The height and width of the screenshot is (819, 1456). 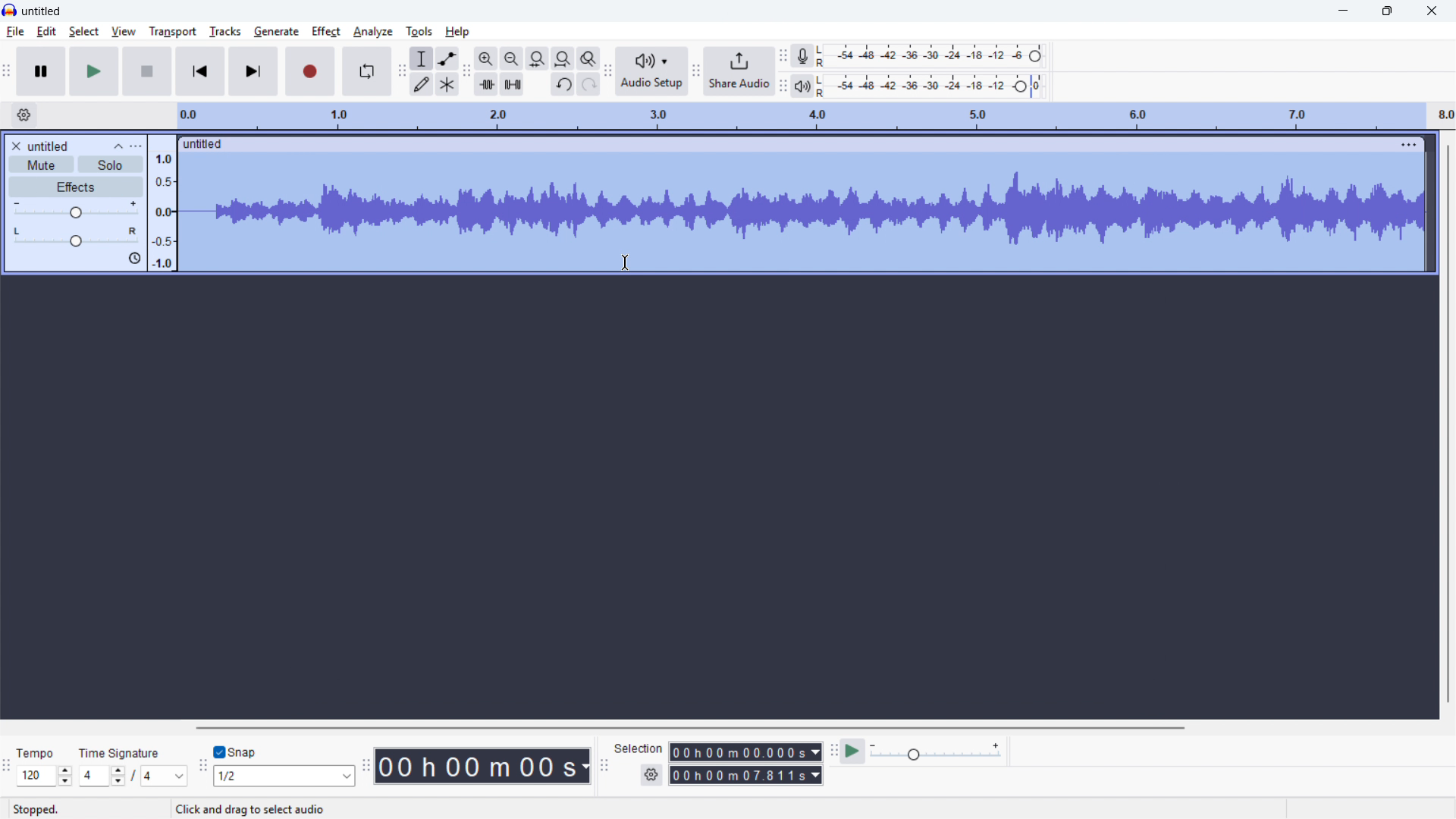 What do you see at coordinates (94, 72) in the screenshot?
I see `play` at bounding box center [94, 72].